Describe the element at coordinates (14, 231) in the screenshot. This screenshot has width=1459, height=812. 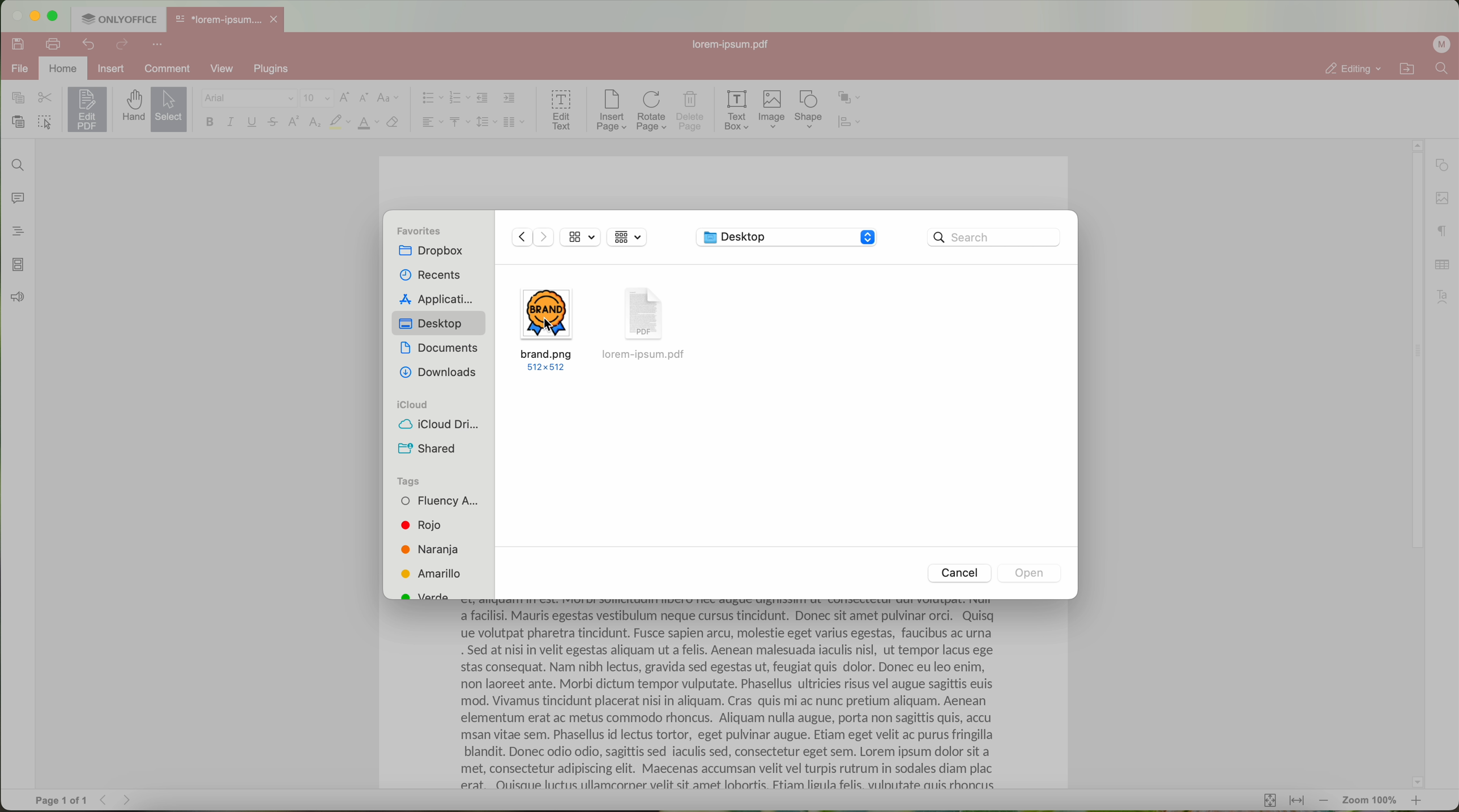
I see `headings` at that location.